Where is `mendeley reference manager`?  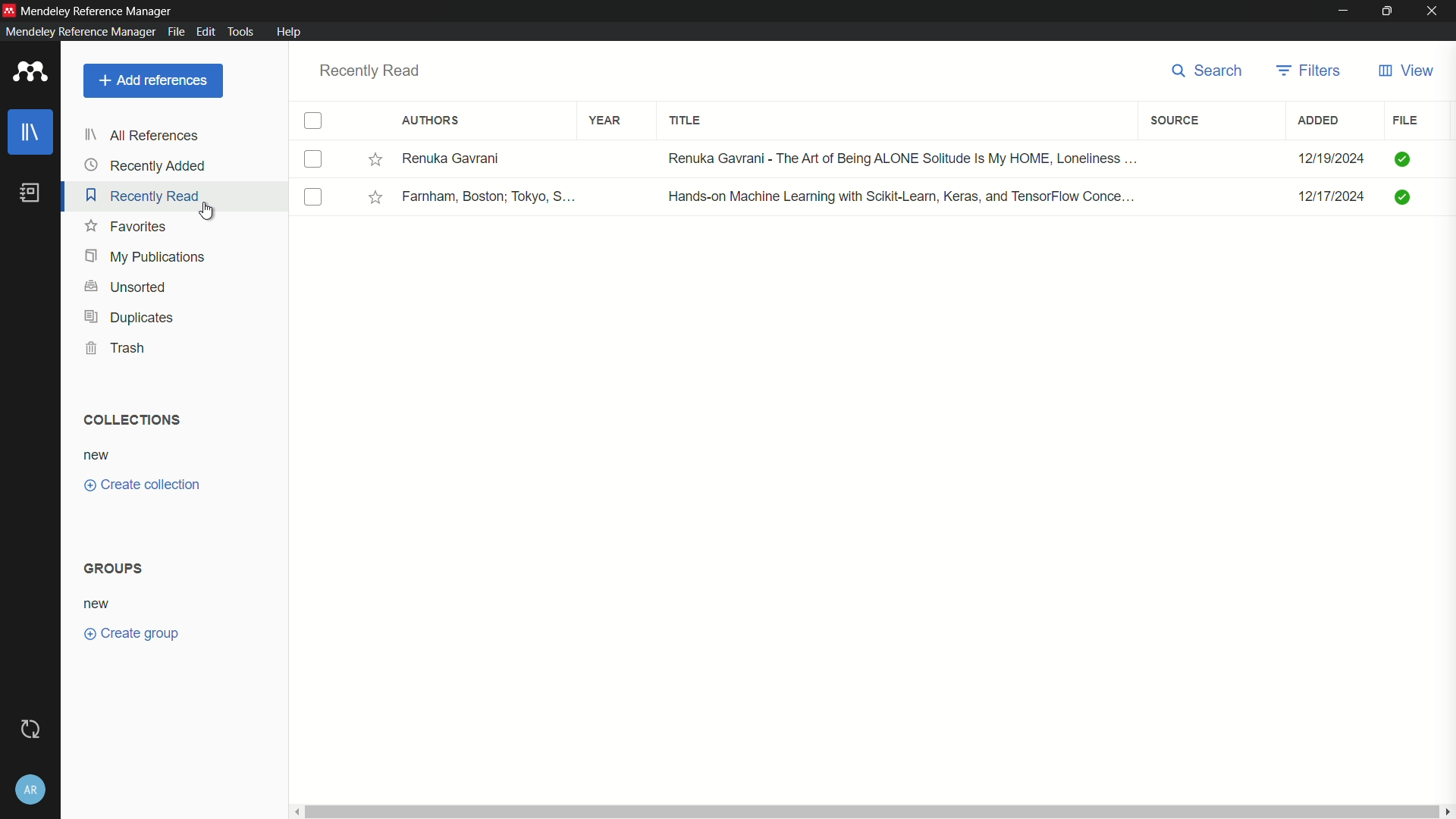 mendeley reference manager is located at coordinates (79, 32).